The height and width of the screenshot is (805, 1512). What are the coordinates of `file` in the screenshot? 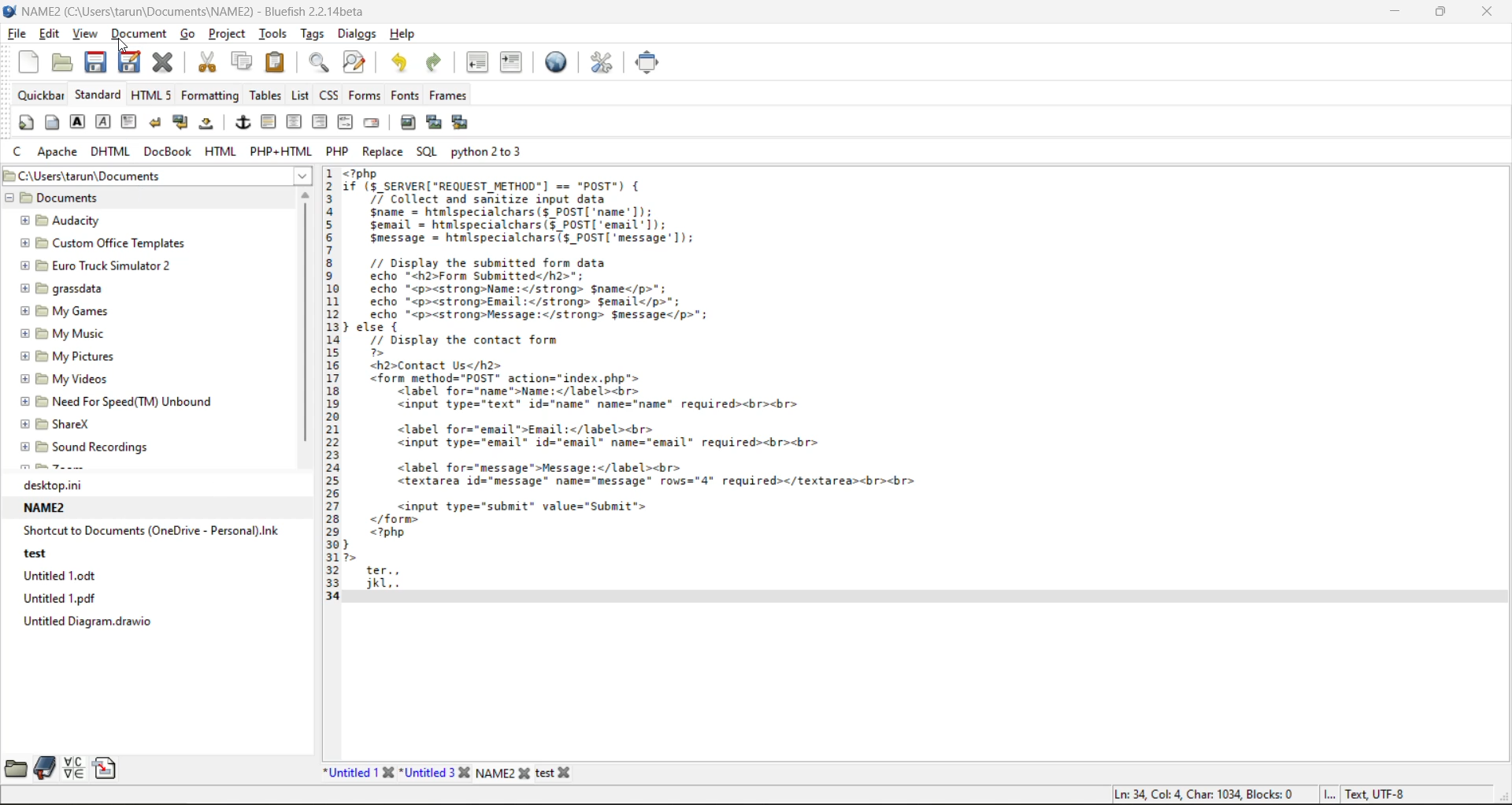 It's located at (17, 32).